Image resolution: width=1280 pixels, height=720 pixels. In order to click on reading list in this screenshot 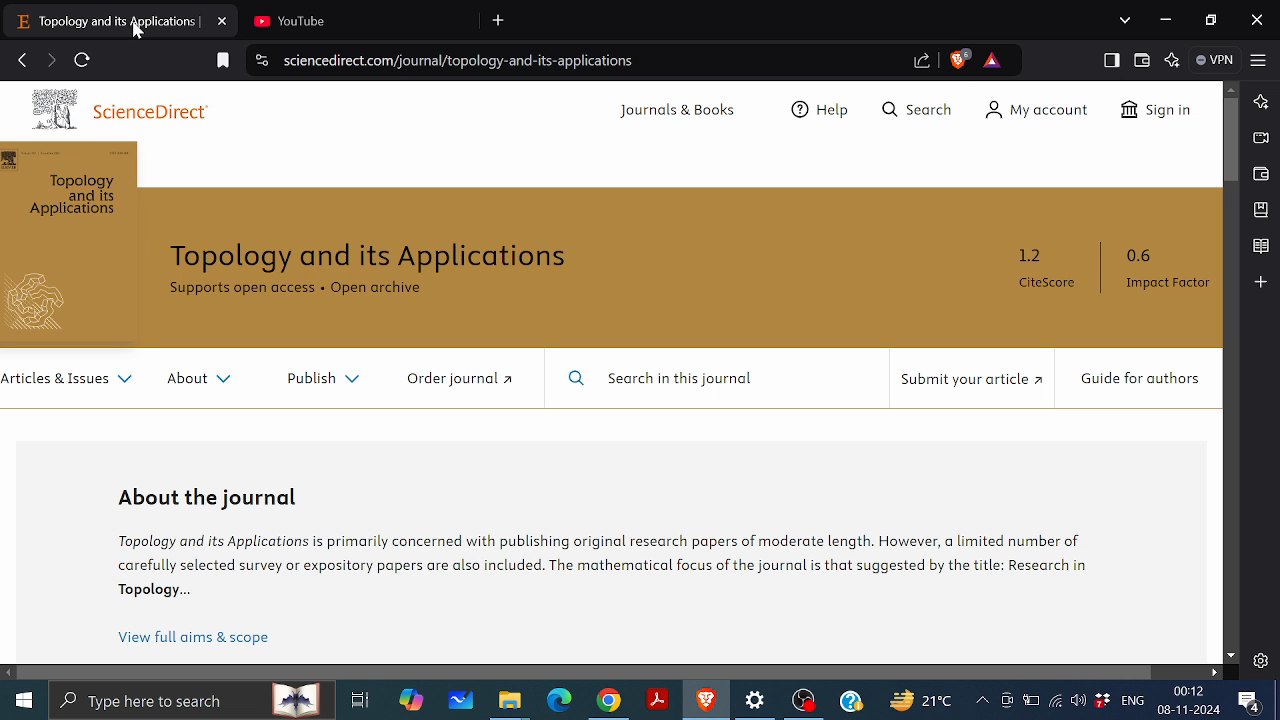, I will do `click(1261, 247)`.